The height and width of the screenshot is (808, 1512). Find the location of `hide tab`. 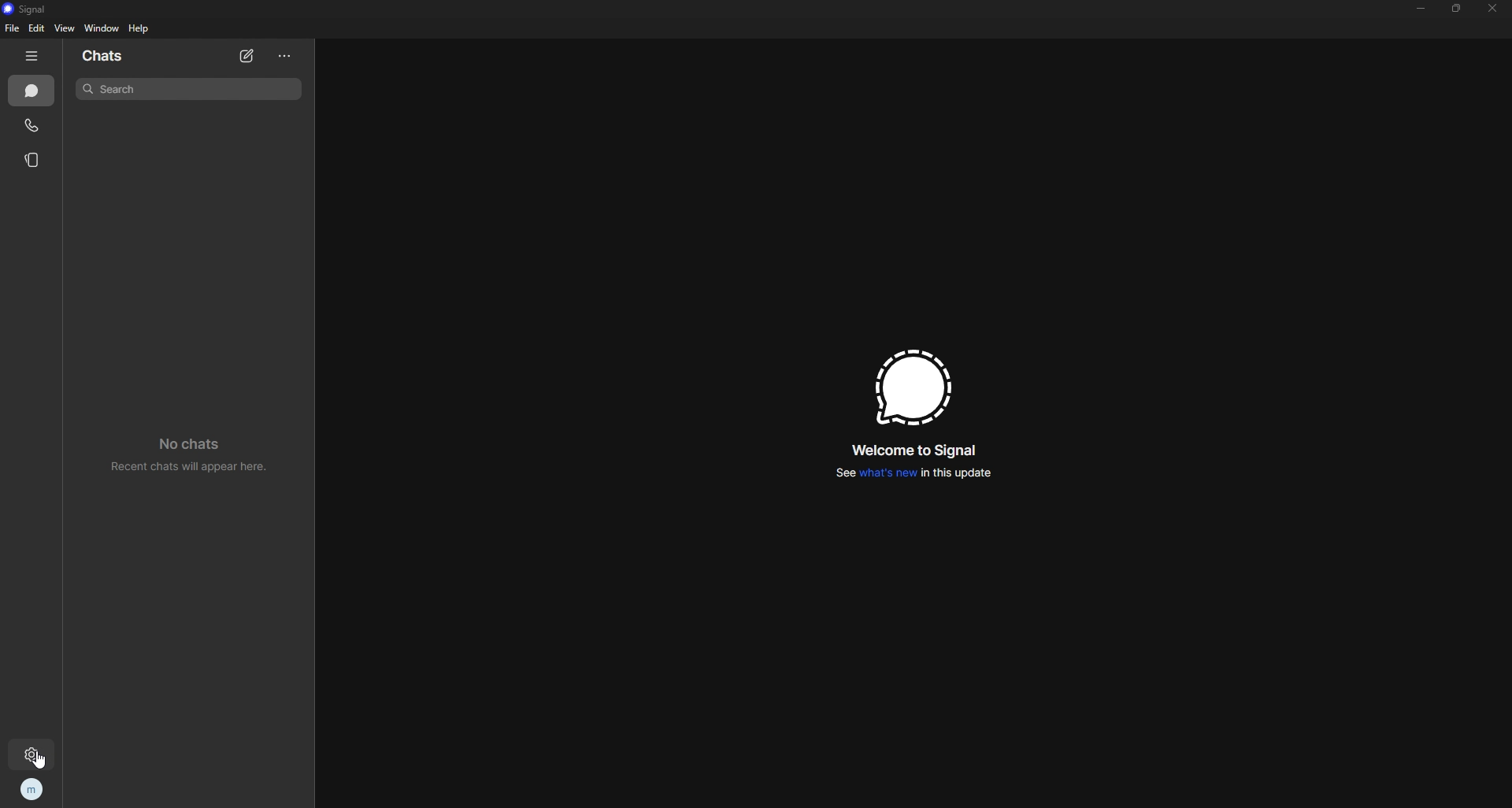

hide tab is located at coordinates (33, 56).